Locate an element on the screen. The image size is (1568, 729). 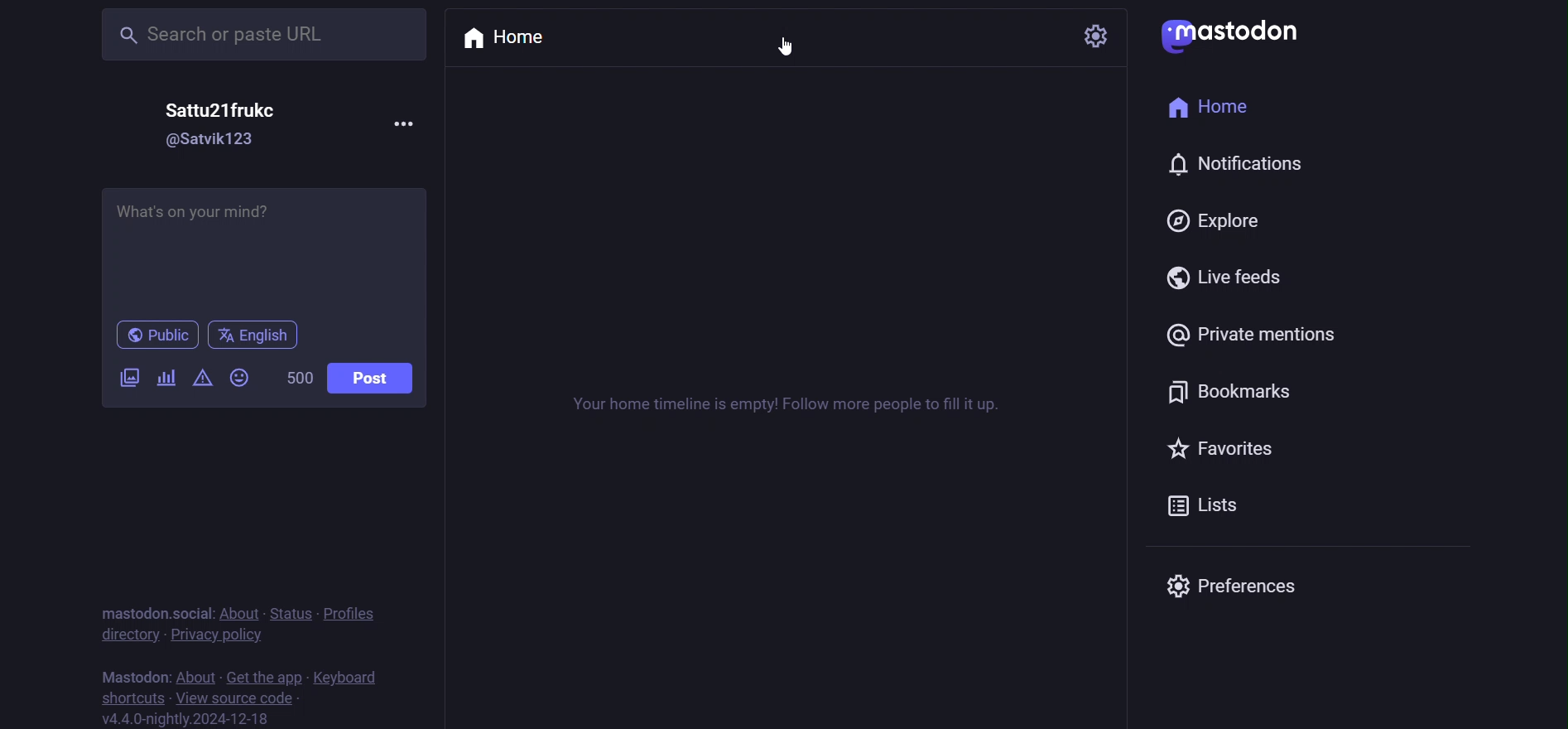
poll is located at coordinates (165, 379).